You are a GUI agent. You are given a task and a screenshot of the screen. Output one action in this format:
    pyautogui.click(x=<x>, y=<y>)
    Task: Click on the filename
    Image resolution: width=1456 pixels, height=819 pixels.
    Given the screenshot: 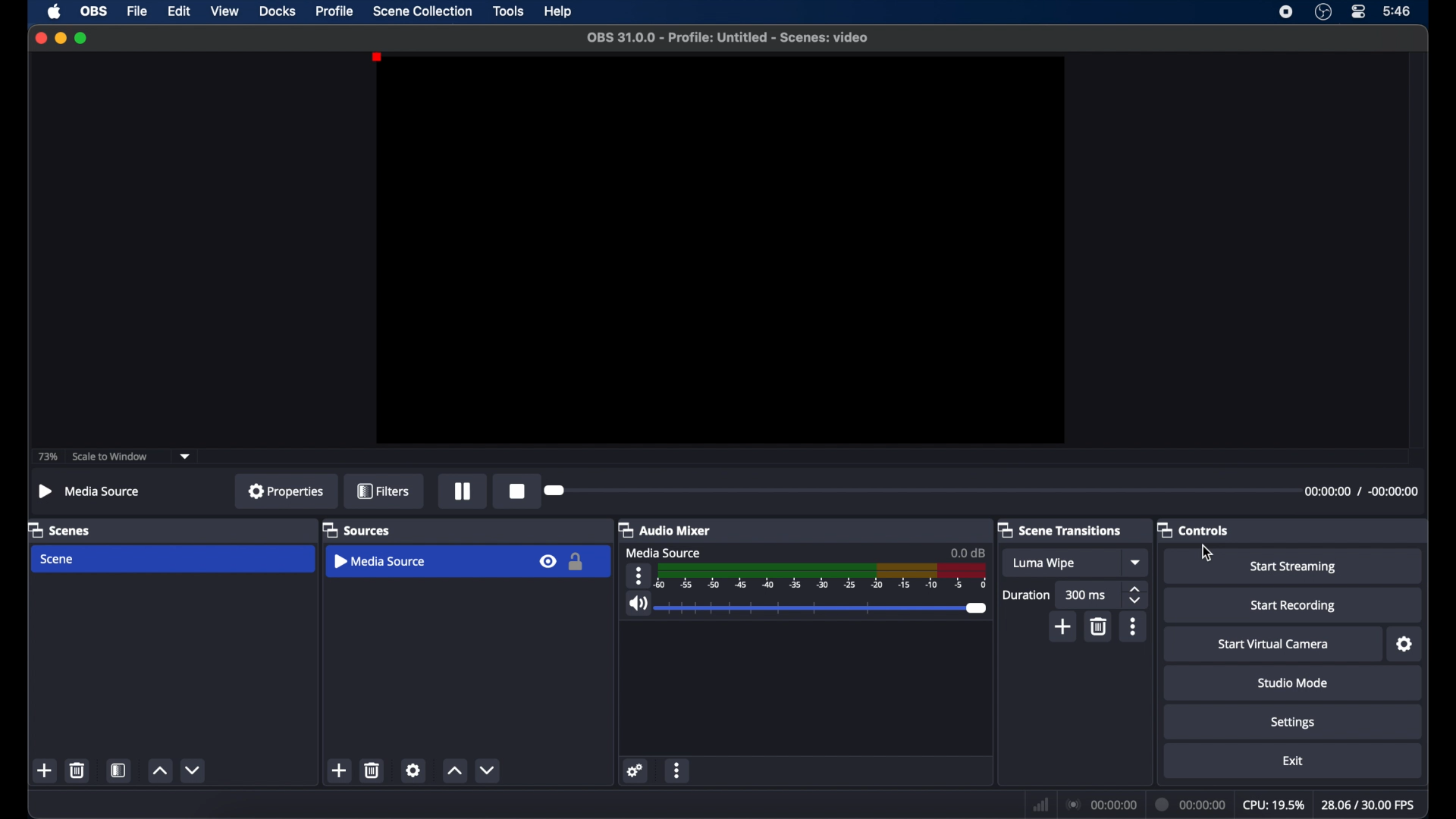 What is the action you would take?
    pyautogui.click(x=726, y=36)
    